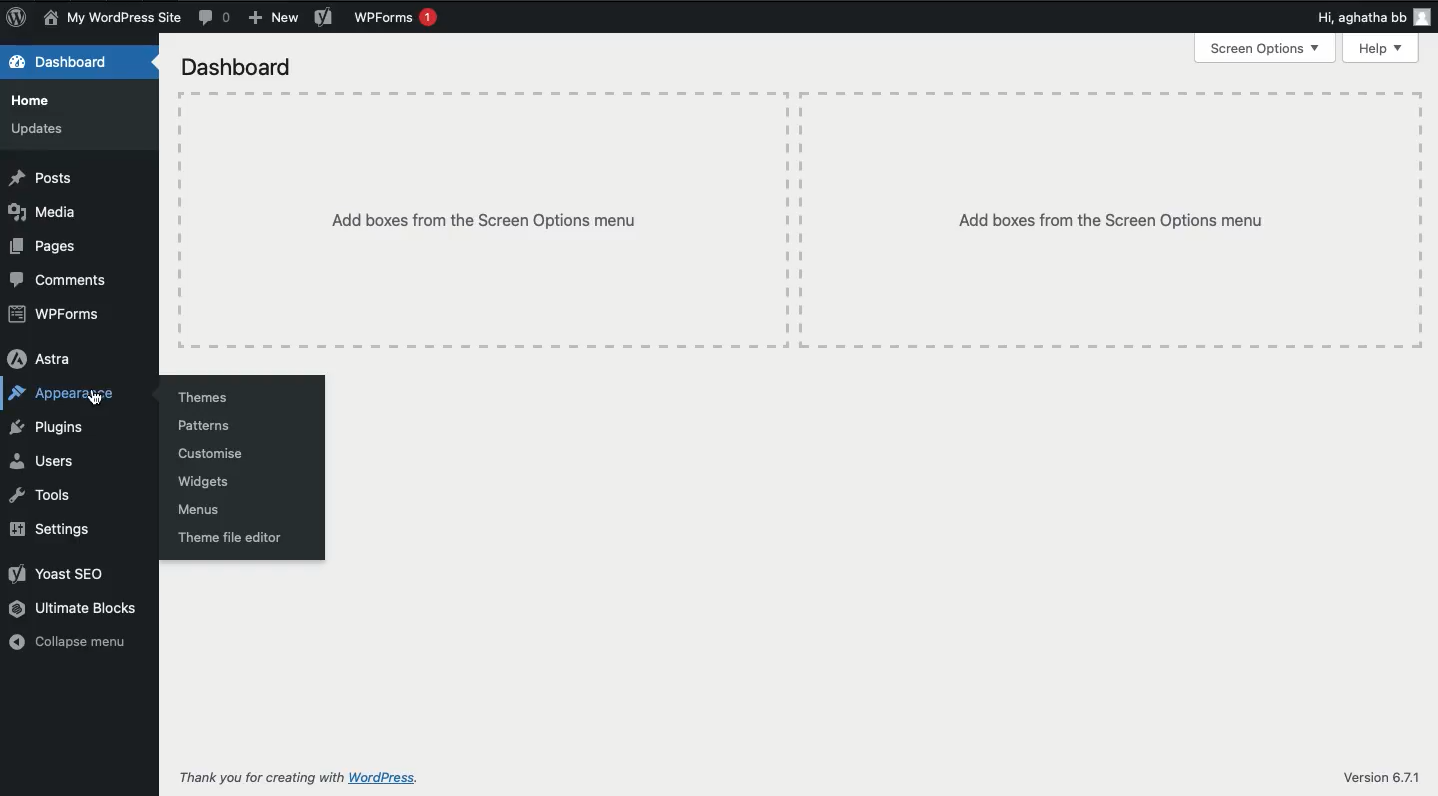 This screenshot has width=1438, height=796. Describe the element at coordinates (41, 496) in the screenshot. I see `Tools` at that location.